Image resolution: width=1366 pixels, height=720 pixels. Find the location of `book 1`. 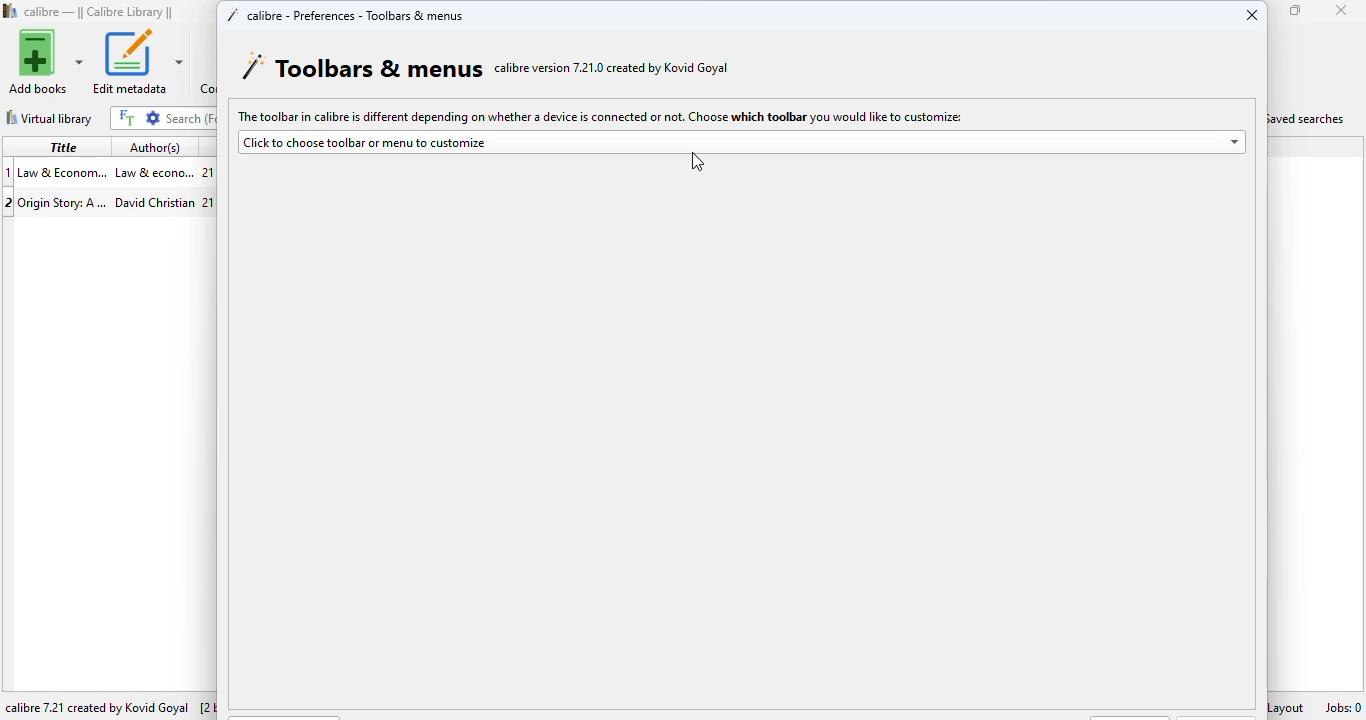

book 1 is located at coordinates (107, 171).